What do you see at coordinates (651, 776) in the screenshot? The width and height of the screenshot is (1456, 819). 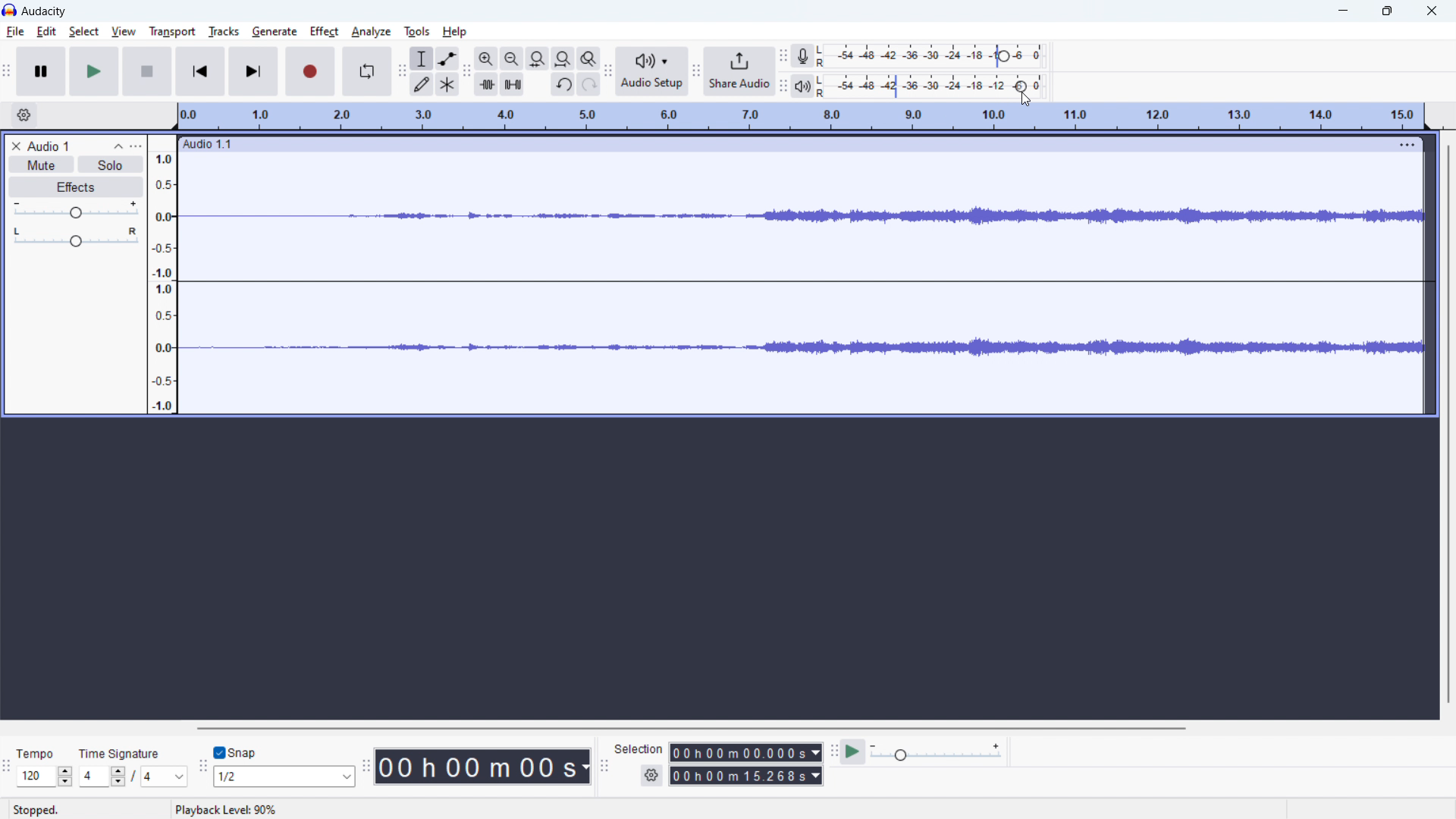 I see `settings` at bounding box center [651, 776].